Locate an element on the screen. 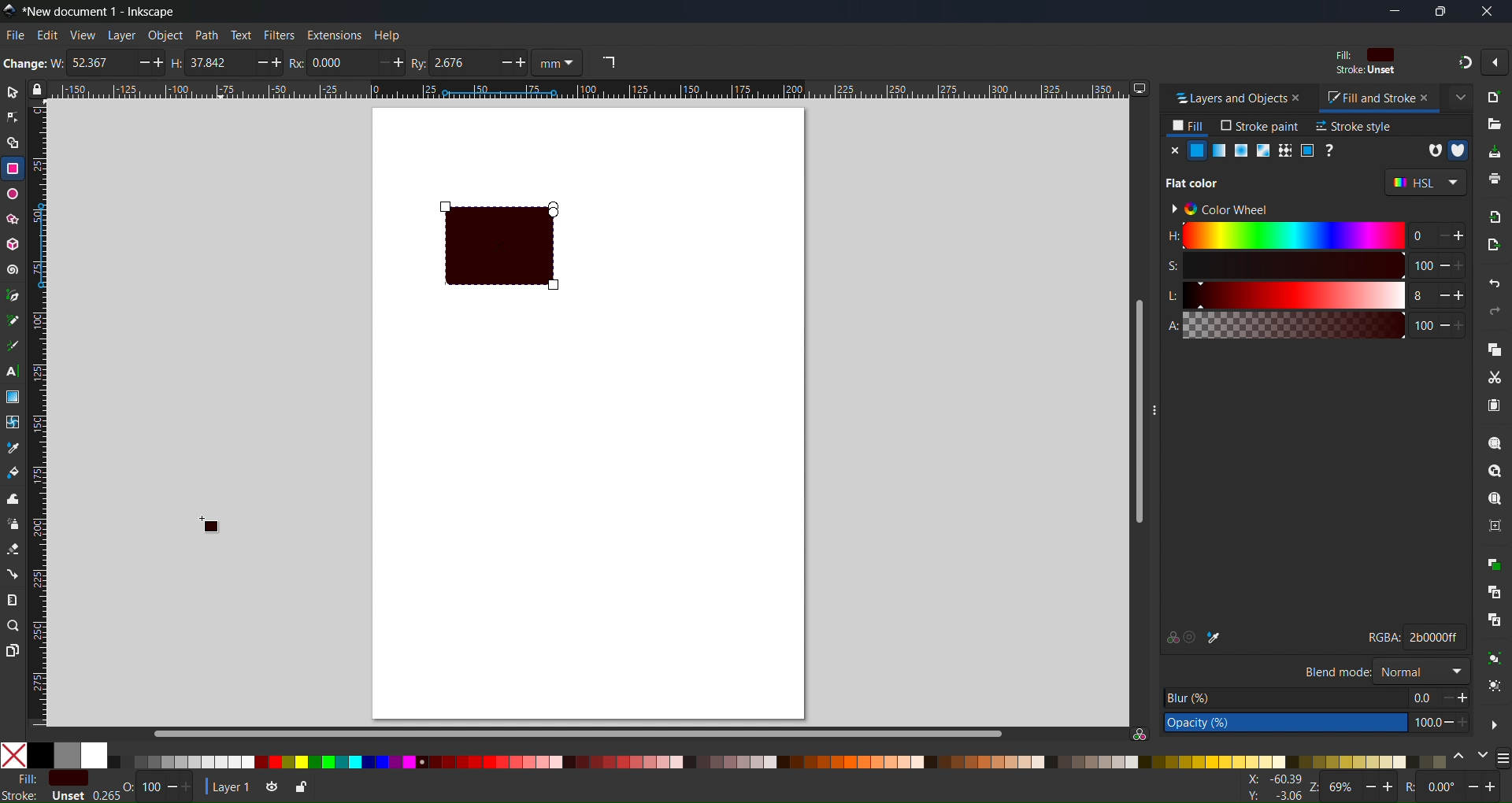  Height of the rectangle 37.842 is located at coordinates (212, 65).